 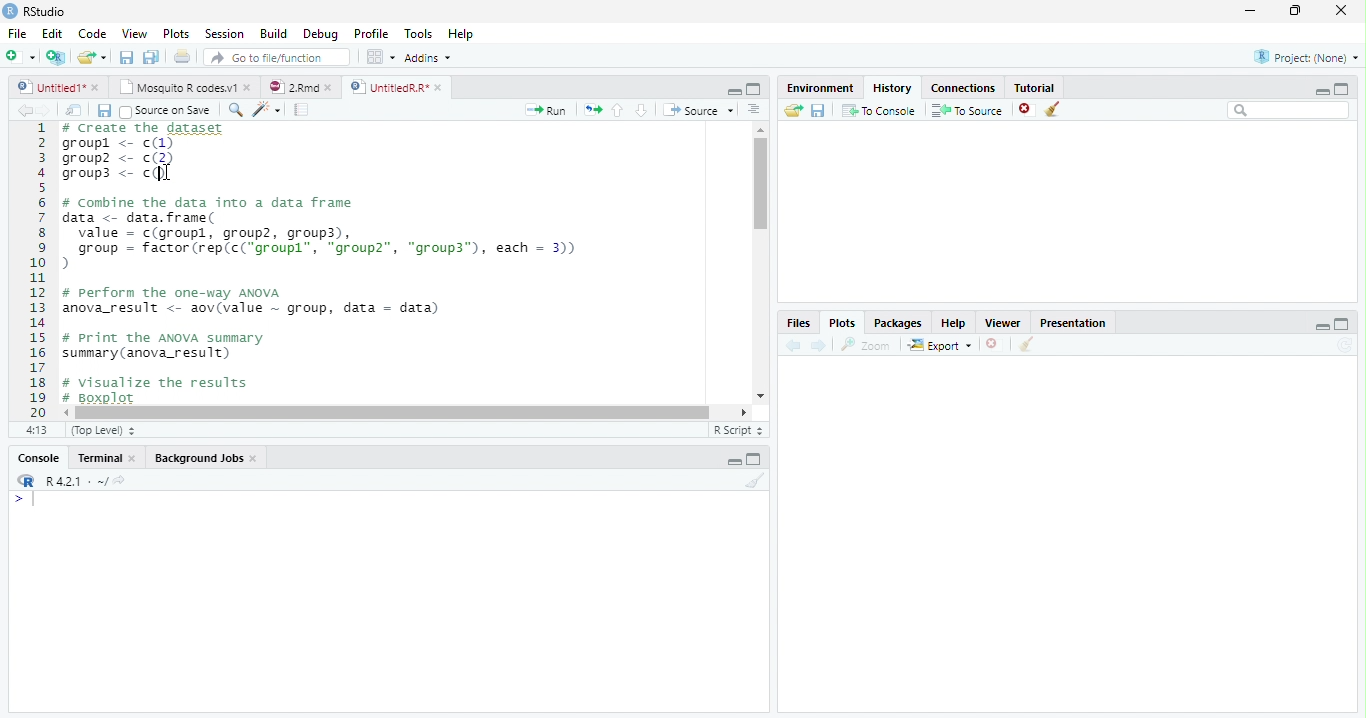 What do you see at coordinates (759, 483) in the screenshot?
I see `Clear console` at bounding box center [759, 483].